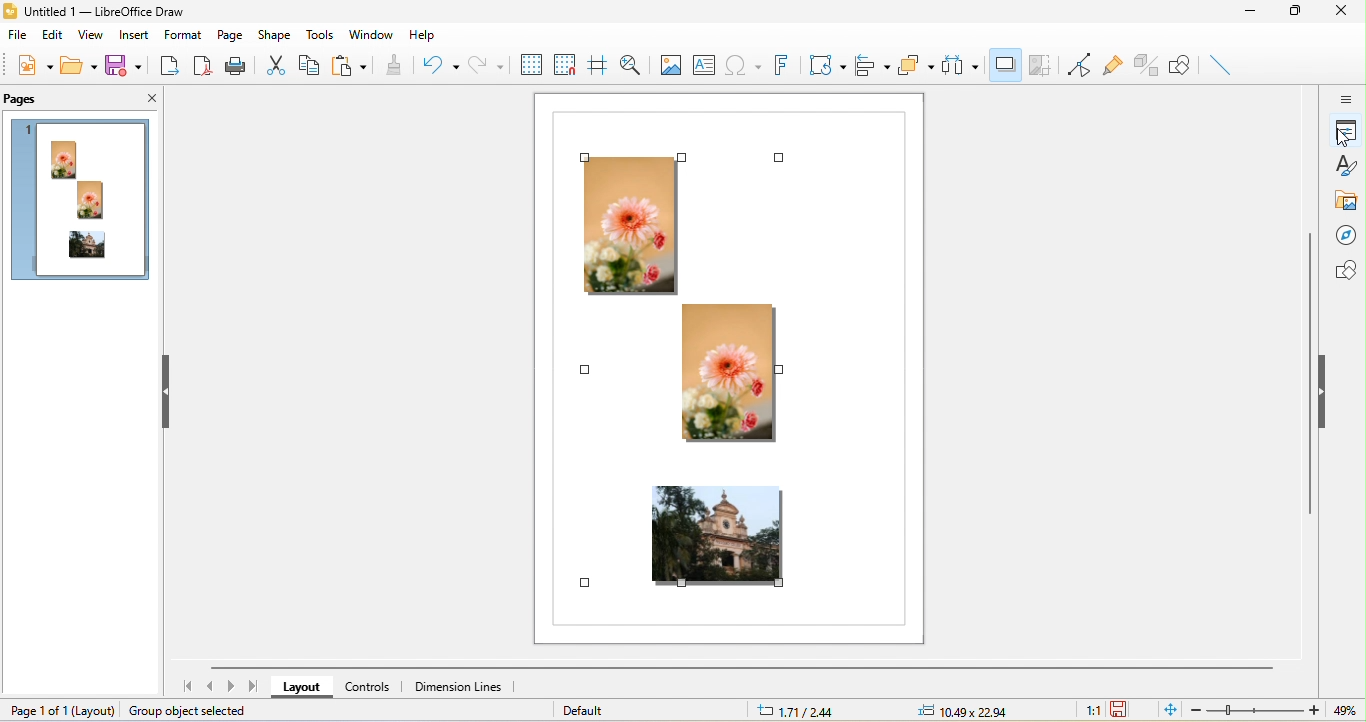 The image size is (1366, 722). I want to click on vertical scroll bar, so click(1306, 374).